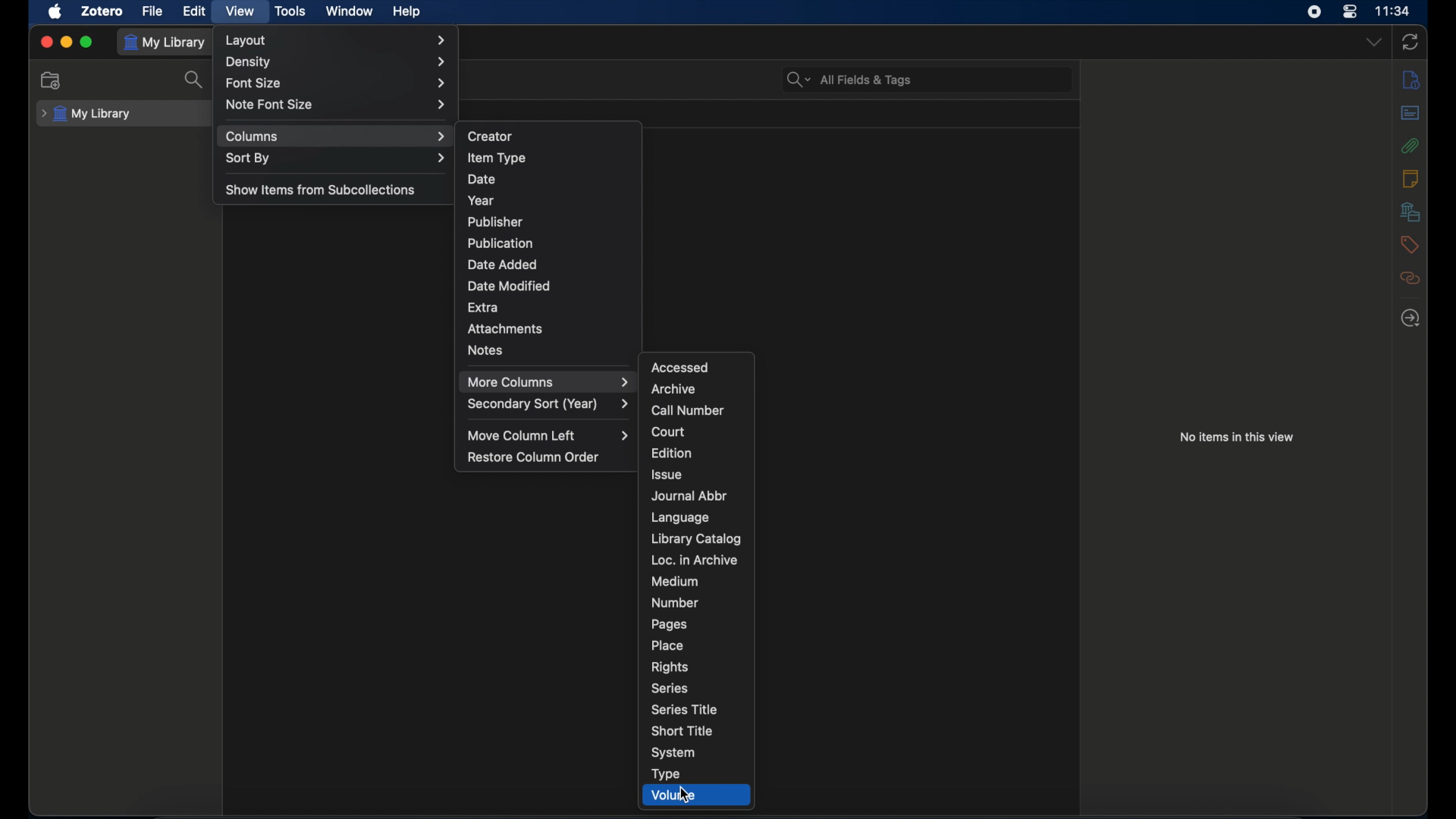 Image resolution: width=1456 pixels, height=819 pixels. What do you see at coordinates (679, 517) in the screenshot?
I see `language` at bounding box center [679, 517].